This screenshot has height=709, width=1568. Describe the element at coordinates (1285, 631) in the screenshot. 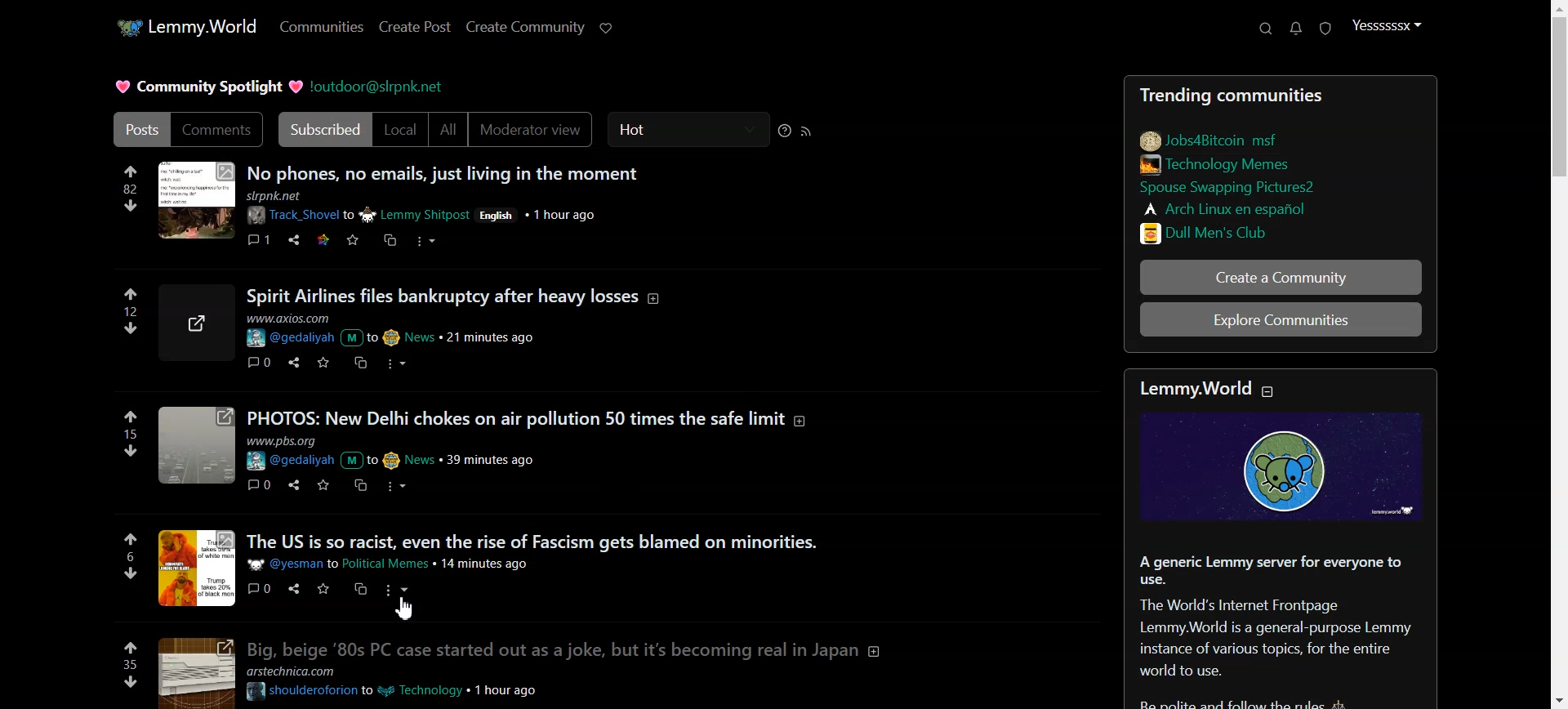

I see `Text` at that location.